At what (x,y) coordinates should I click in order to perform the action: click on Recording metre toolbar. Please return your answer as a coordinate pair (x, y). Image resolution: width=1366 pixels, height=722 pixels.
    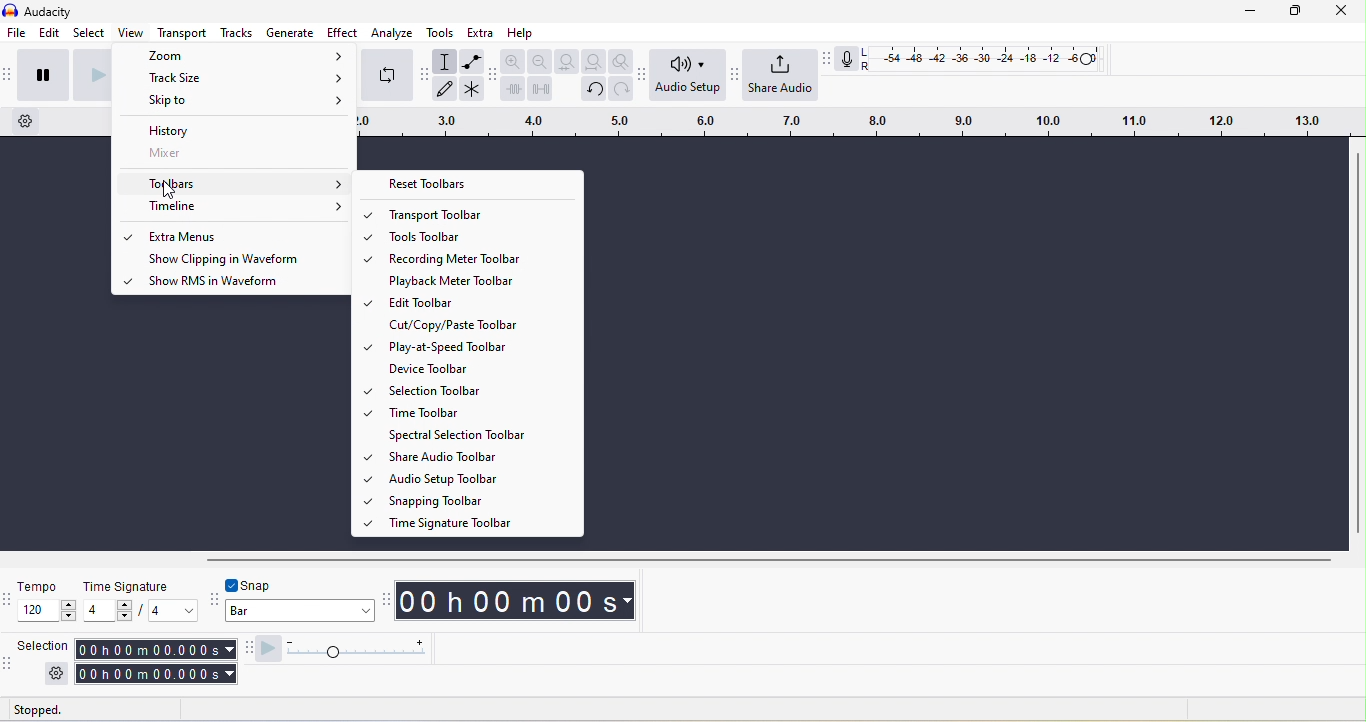
    Looking at the image, I should click on (479, 257).